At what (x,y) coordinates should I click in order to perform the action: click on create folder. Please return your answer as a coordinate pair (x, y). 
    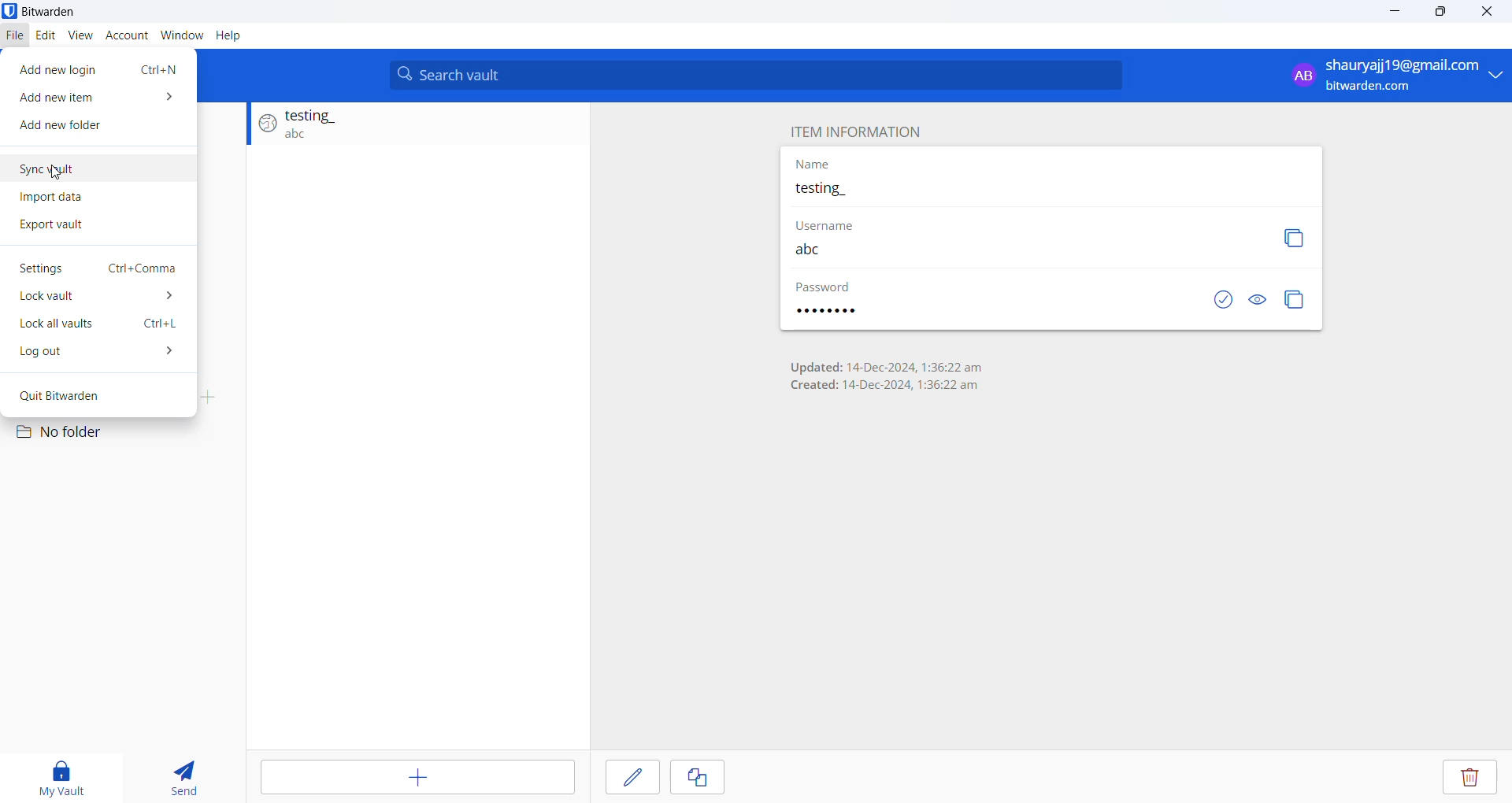
    Looking at the image, I should click on (214, 396).